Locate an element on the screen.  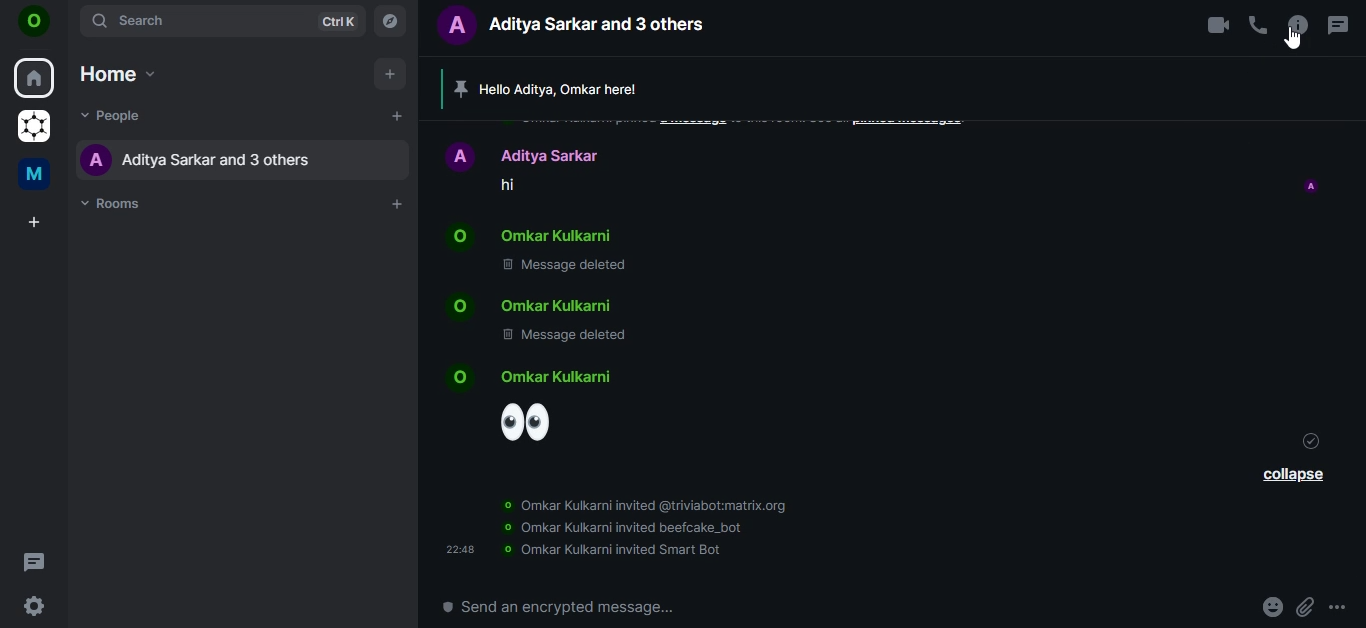
search is located at coordinates (223, 21).